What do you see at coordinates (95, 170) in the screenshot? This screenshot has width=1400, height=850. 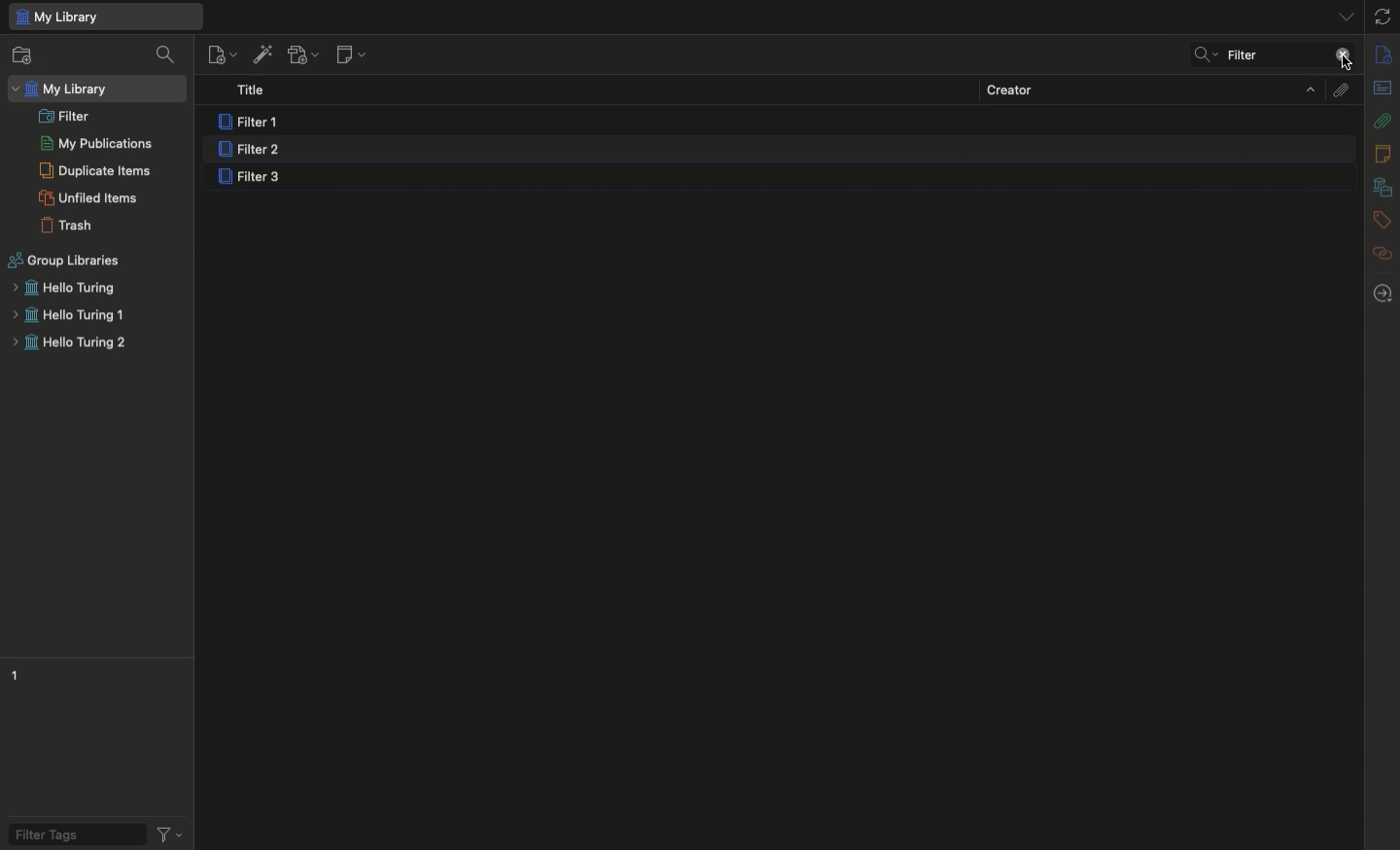 I see `Duplicate items` at bounding box center [95, 170].